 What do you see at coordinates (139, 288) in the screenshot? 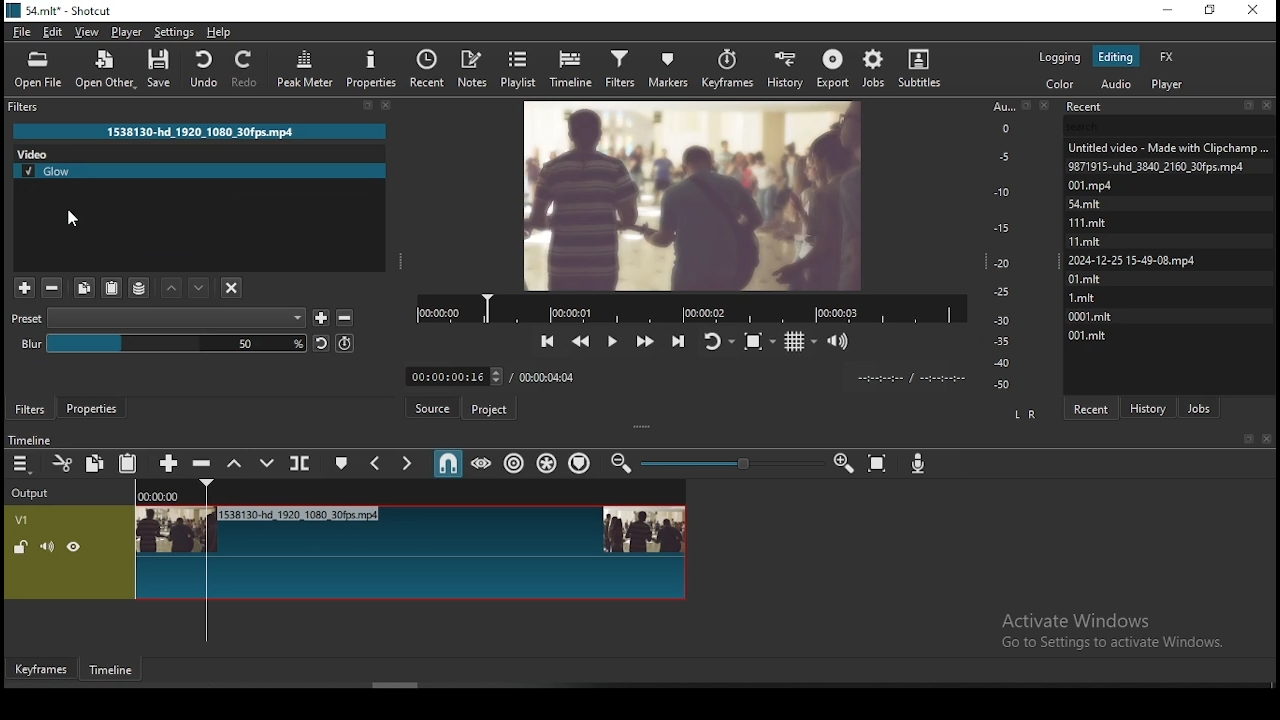
I see `save a filter set` at bounding box center [139, 288].